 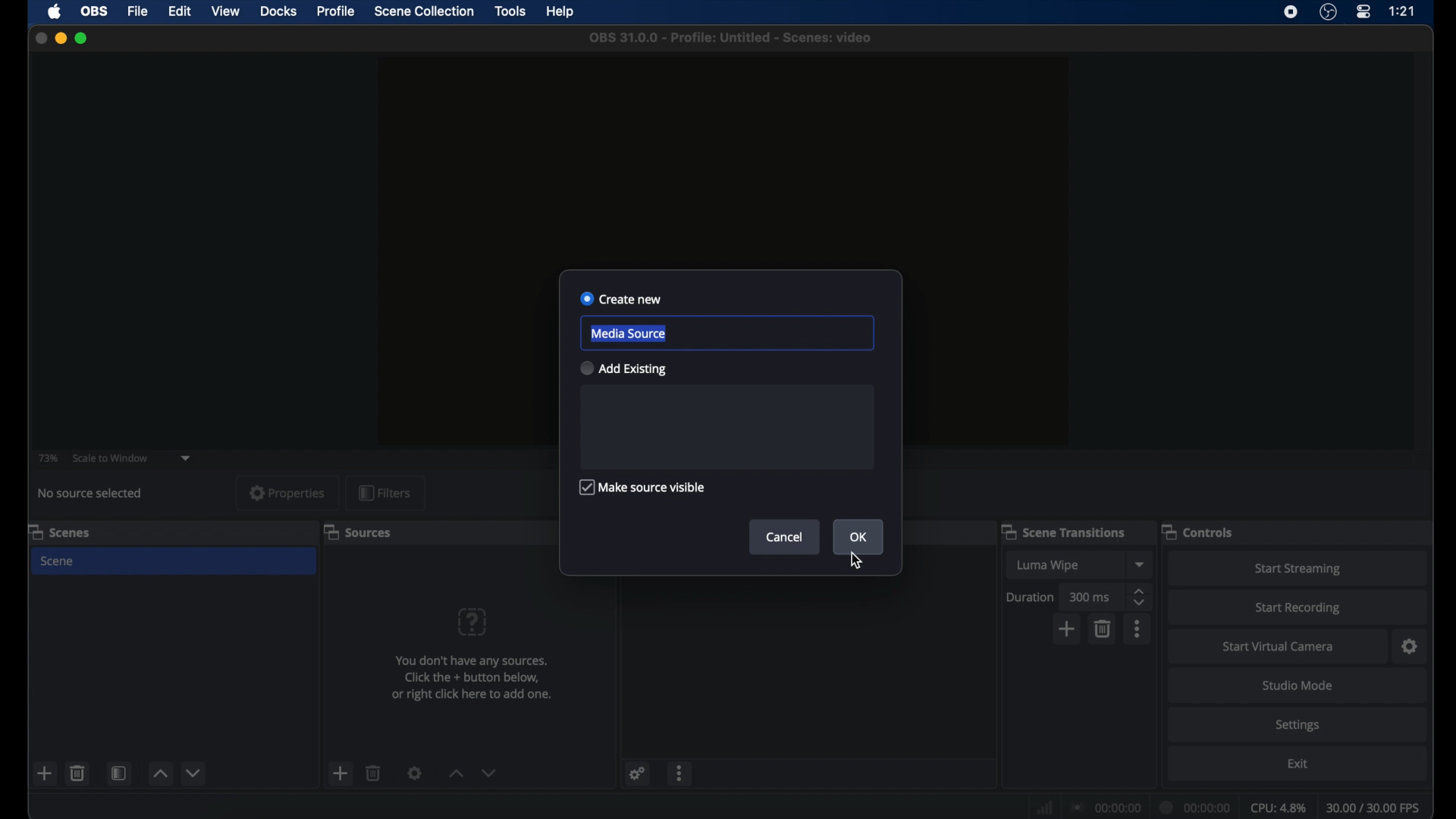 What do you see at coordinates (1297, 724) in the screenshot?
I see `settings` at bounding box center [1297, 724].